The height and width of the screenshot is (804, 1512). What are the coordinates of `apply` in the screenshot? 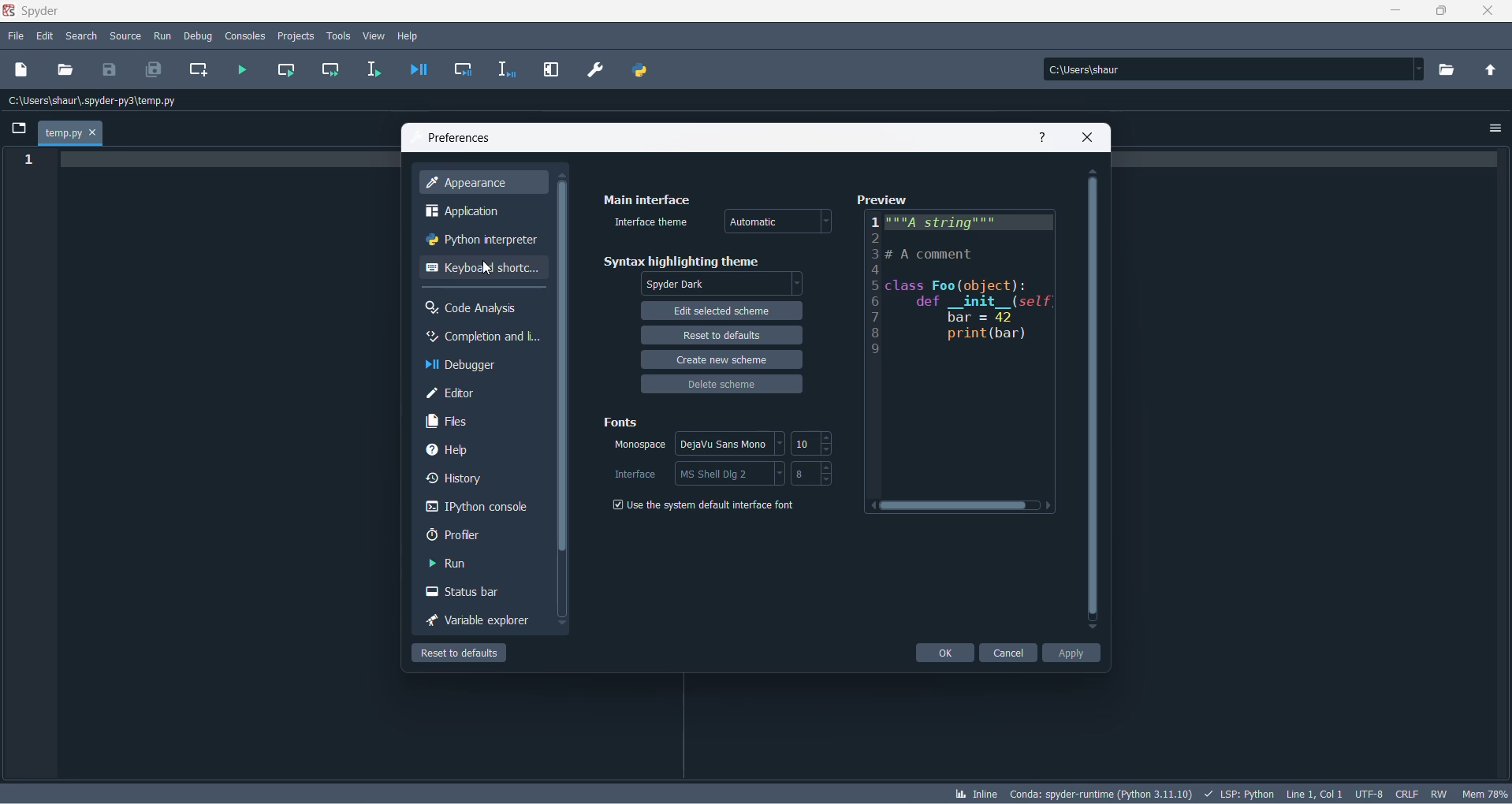 It's located at (1072, 655).